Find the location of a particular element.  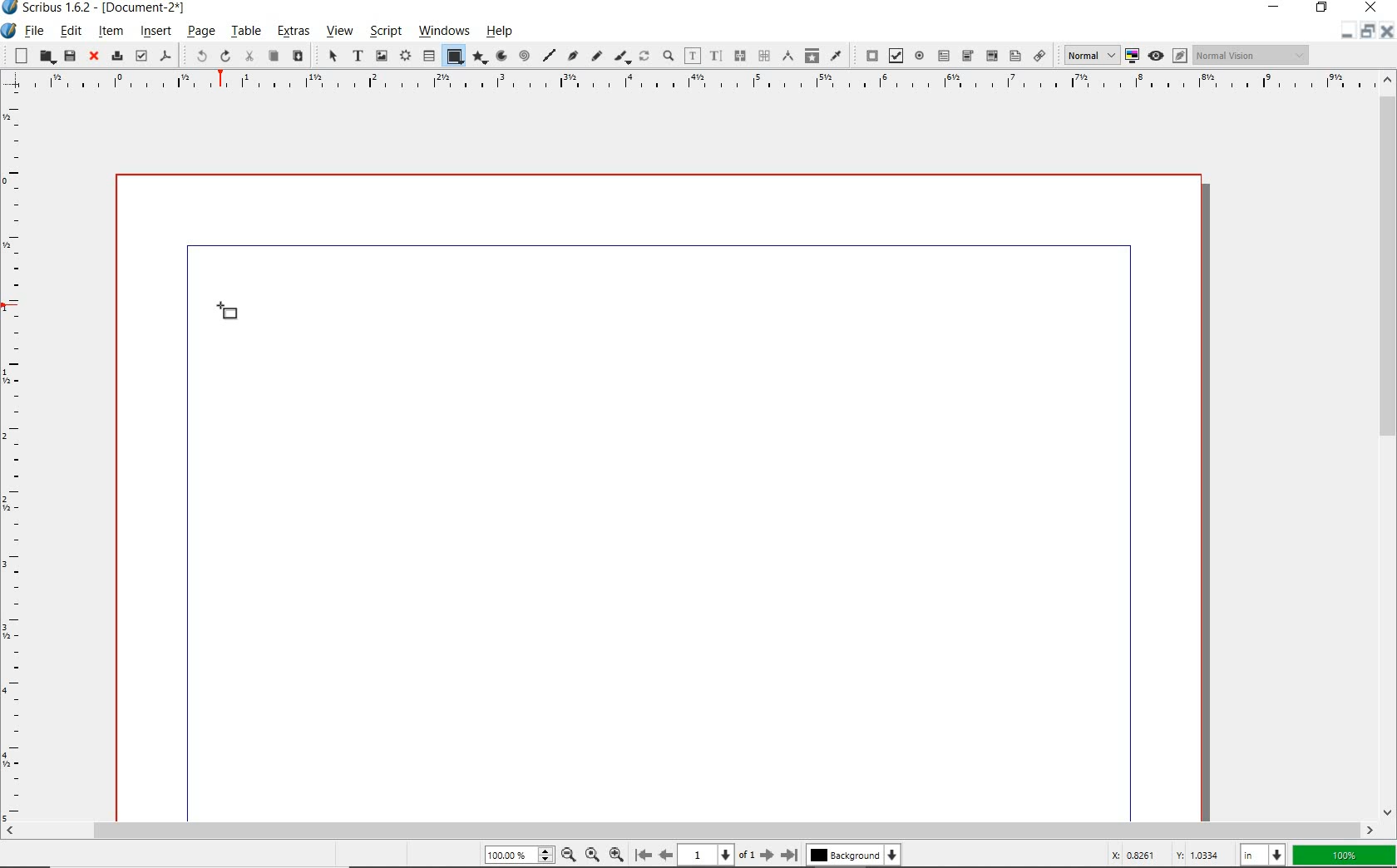

toggle color is located at coordinates (1130, 57).